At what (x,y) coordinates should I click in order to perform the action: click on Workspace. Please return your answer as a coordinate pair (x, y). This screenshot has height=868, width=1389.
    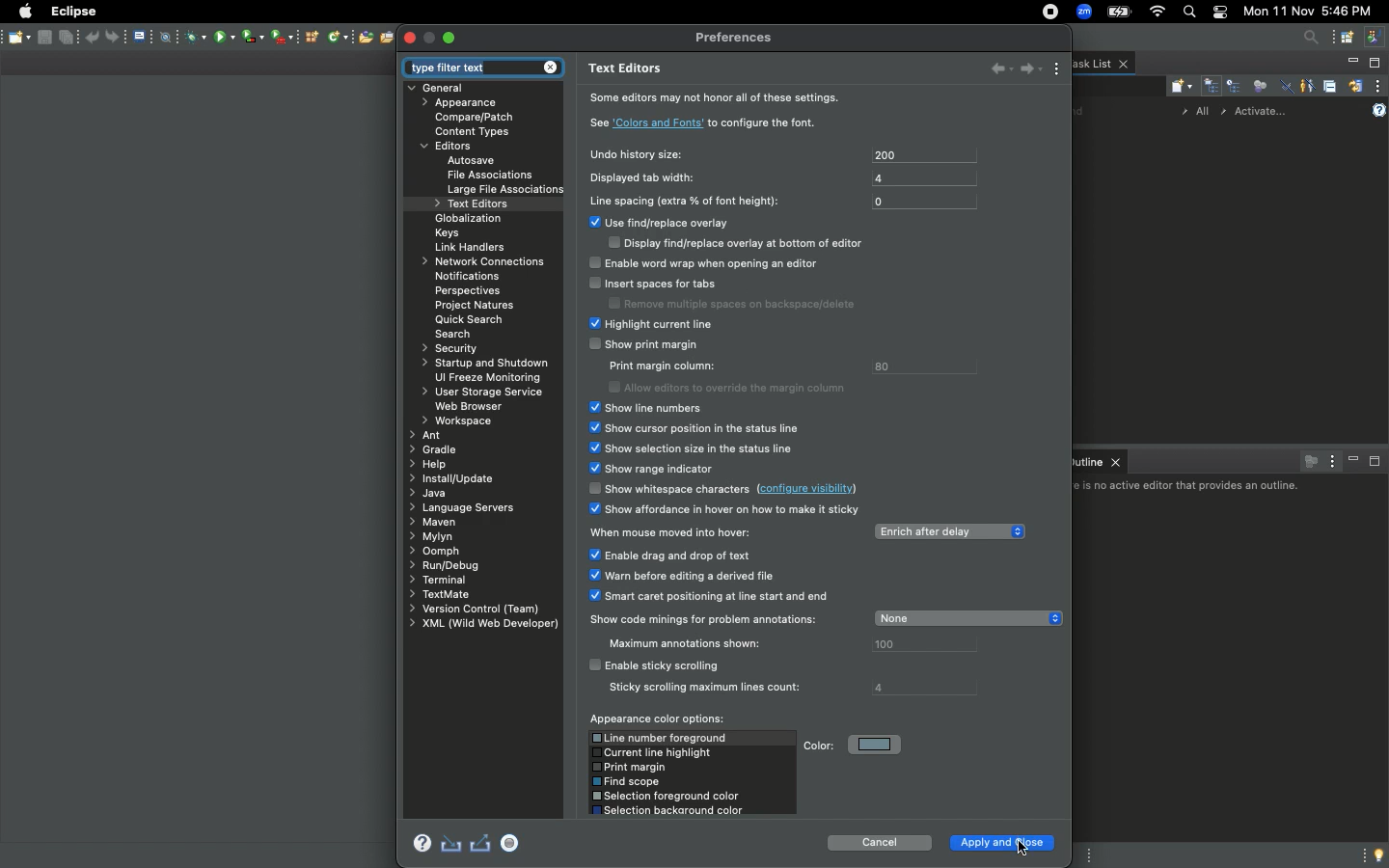
    Looking at the image, I should click on (455, 420).